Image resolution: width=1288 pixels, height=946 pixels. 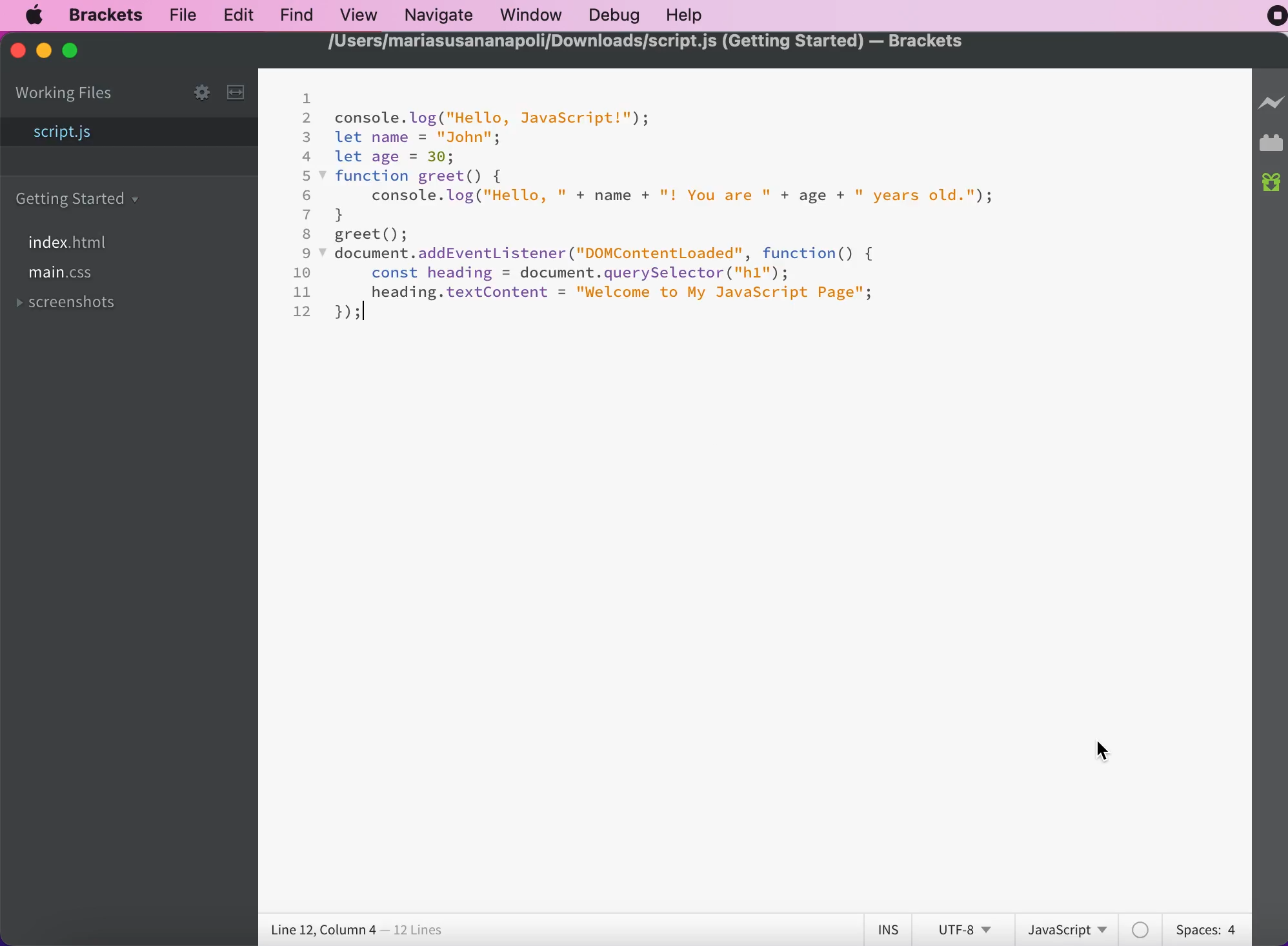 I want to click on live preview, so click(x=1271, y=109).